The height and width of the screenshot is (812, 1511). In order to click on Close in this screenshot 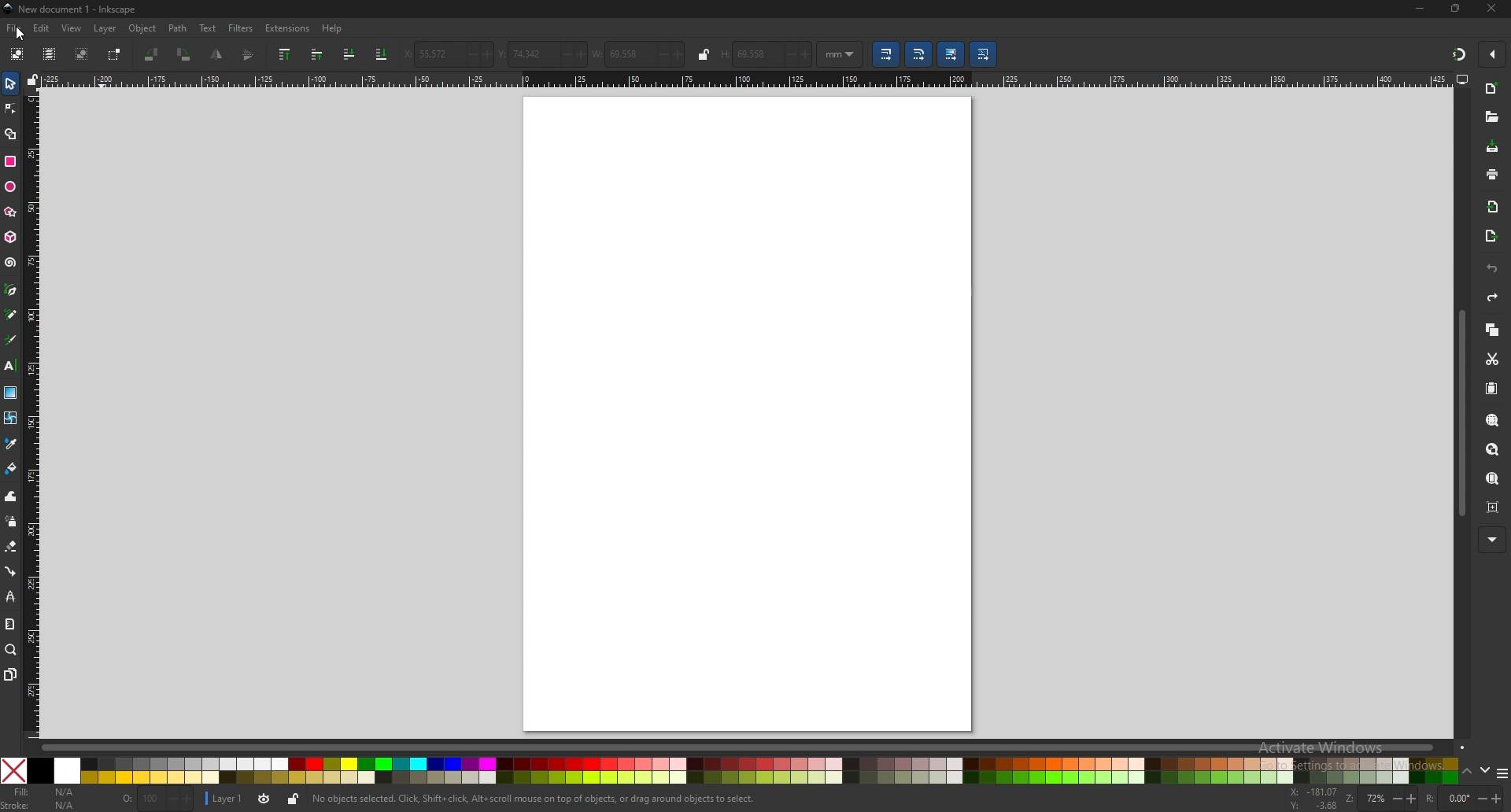, I will do `click(13, 770)`.